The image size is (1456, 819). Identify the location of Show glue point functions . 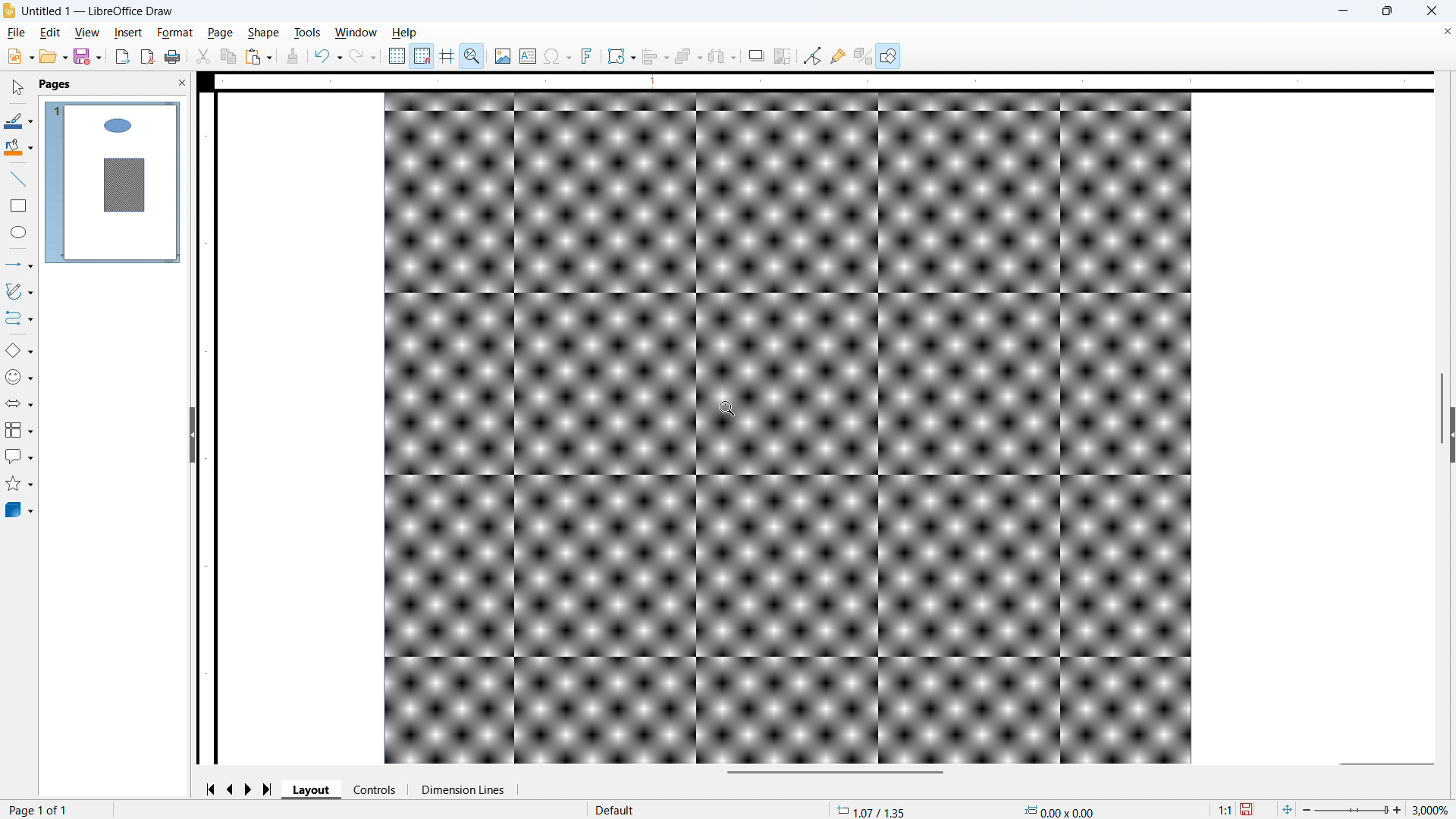
(838, 56).